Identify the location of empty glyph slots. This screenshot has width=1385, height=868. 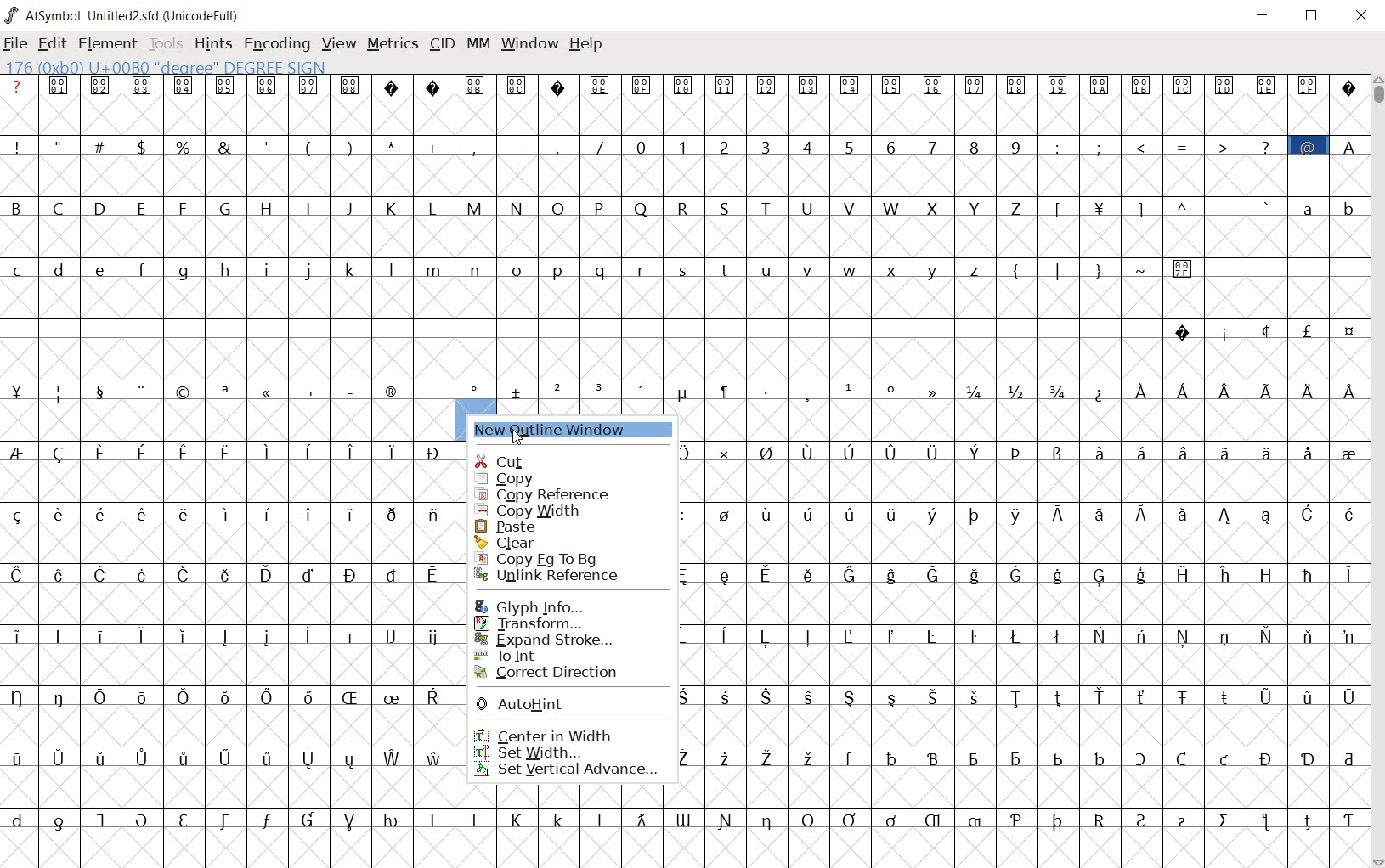
(1021, 422).